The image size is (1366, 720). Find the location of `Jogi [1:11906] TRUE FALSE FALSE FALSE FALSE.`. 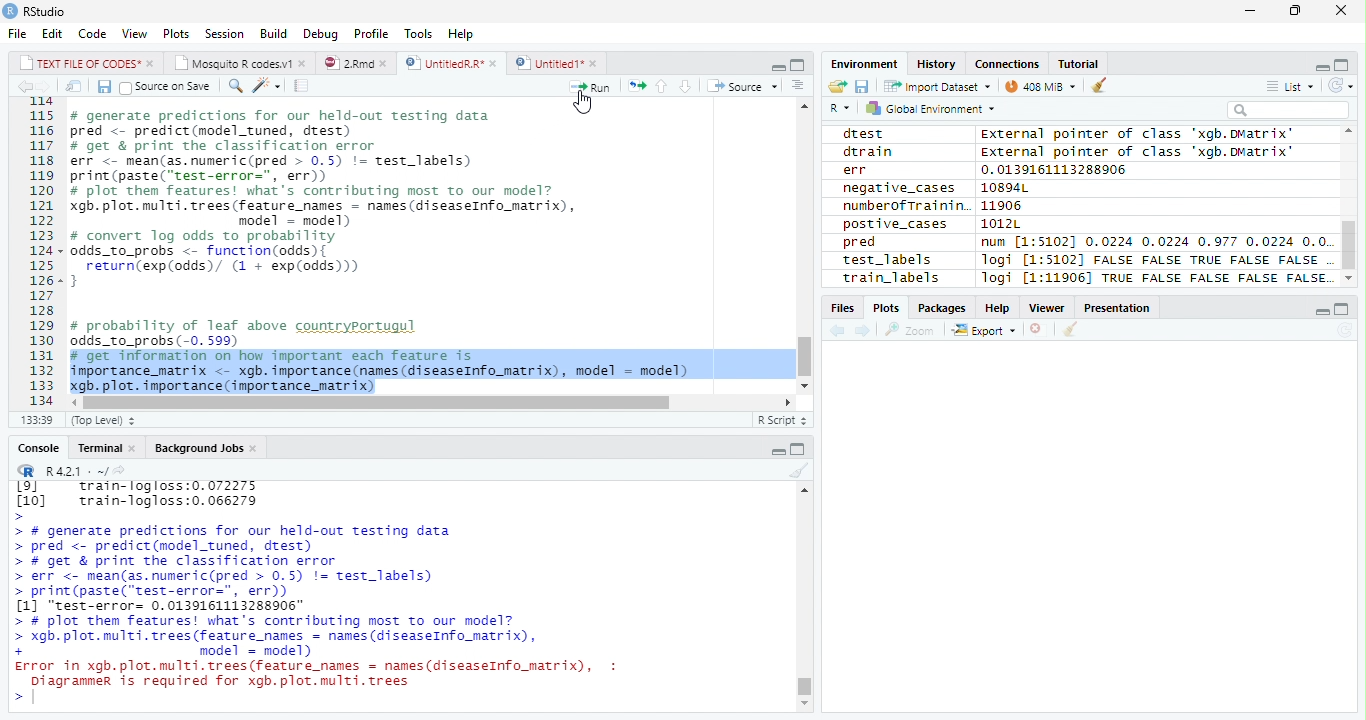

Jogi [1:11906] TRUE FALSE FALSE FALSE FALSE. is located at coordinates (1155, 278).